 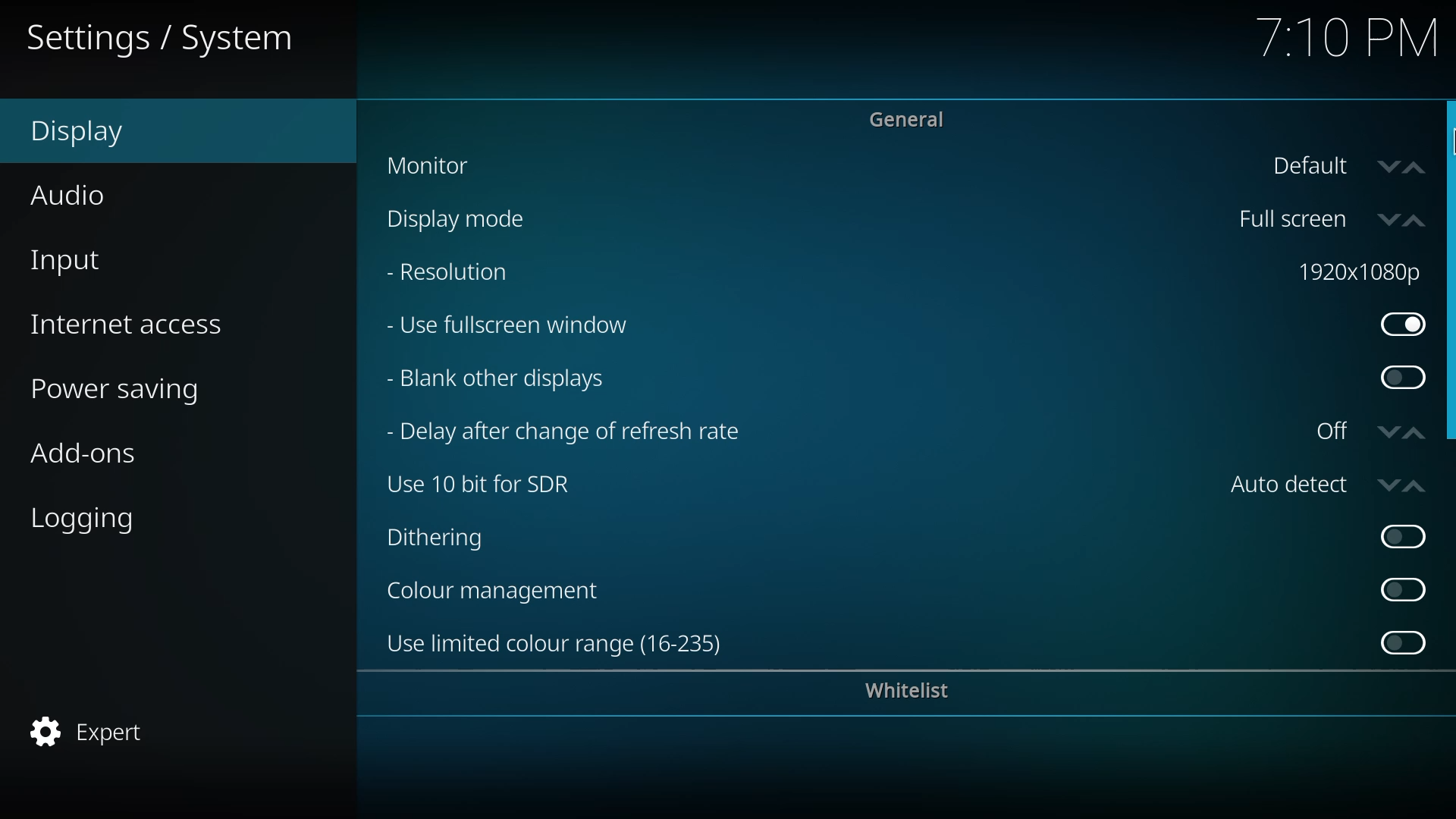 What do you see at coordinates (1333, 221) in the screenshot?
I see `fullscreen` at bounding box center [1333, 221].